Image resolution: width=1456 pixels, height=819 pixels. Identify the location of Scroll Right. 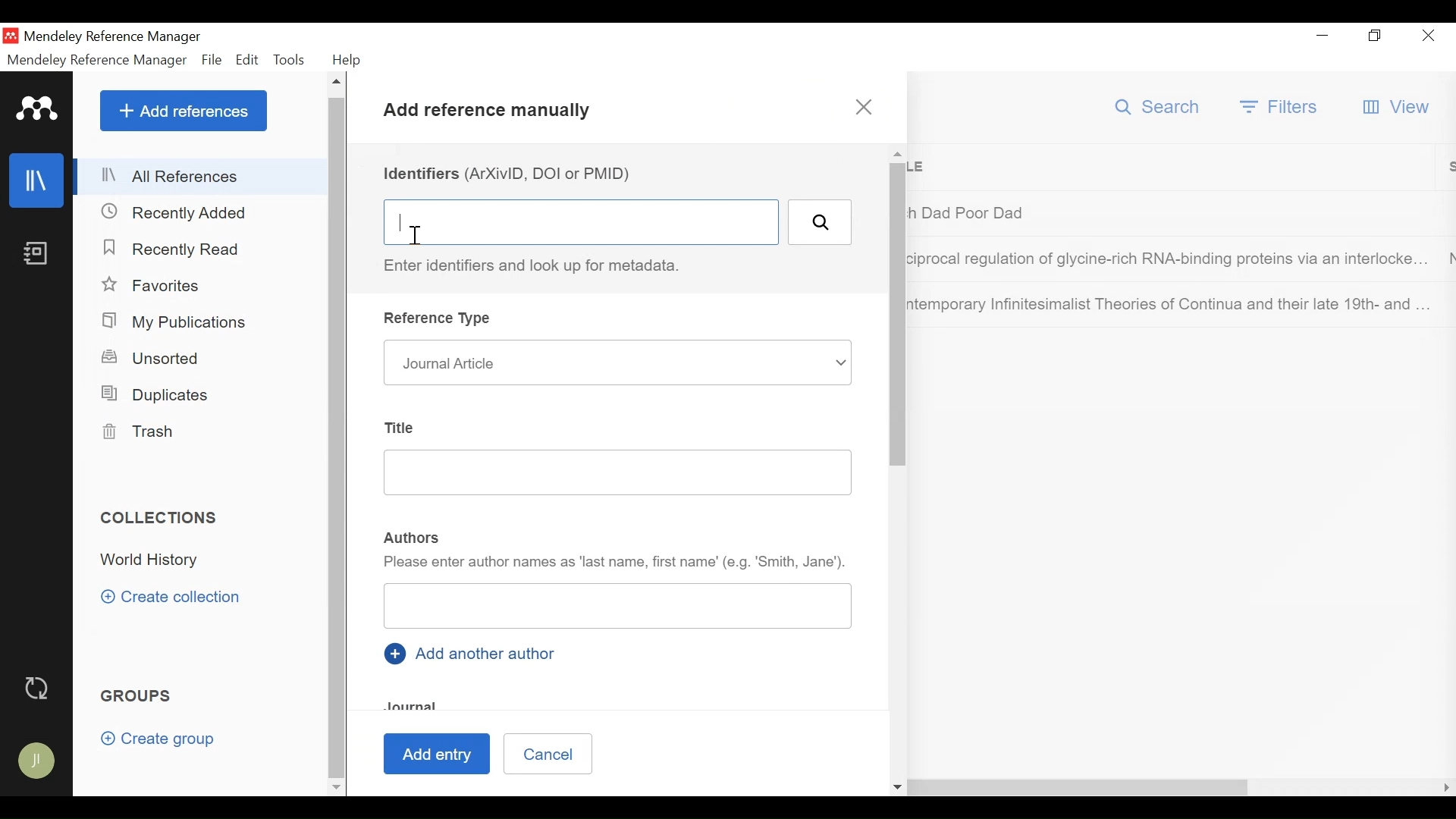
(360, 786).